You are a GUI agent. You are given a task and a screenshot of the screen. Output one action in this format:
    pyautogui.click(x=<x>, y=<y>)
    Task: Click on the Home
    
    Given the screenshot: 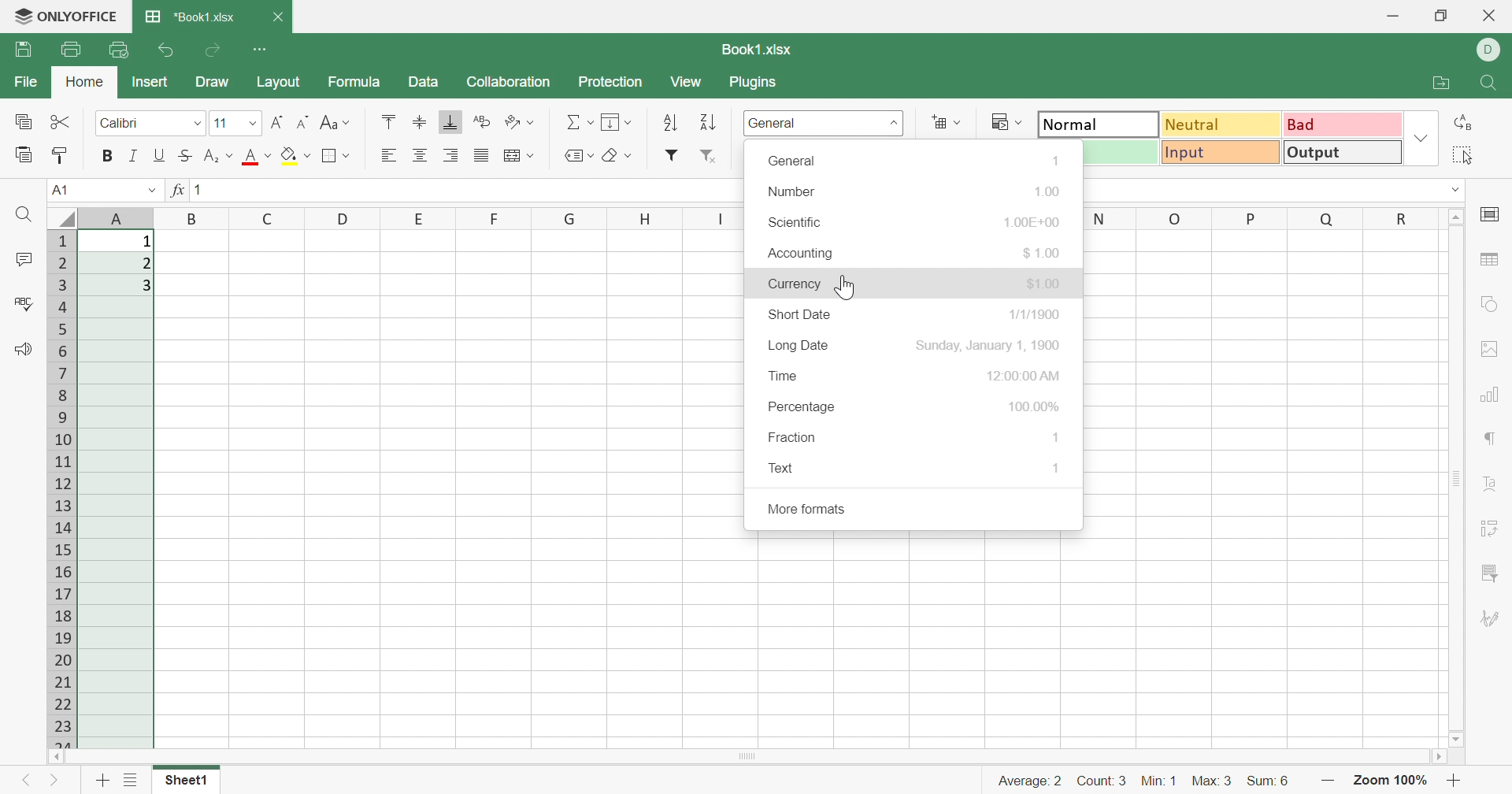 What is the action you would take?
    pyautogui.click(x=87, y=82)
    